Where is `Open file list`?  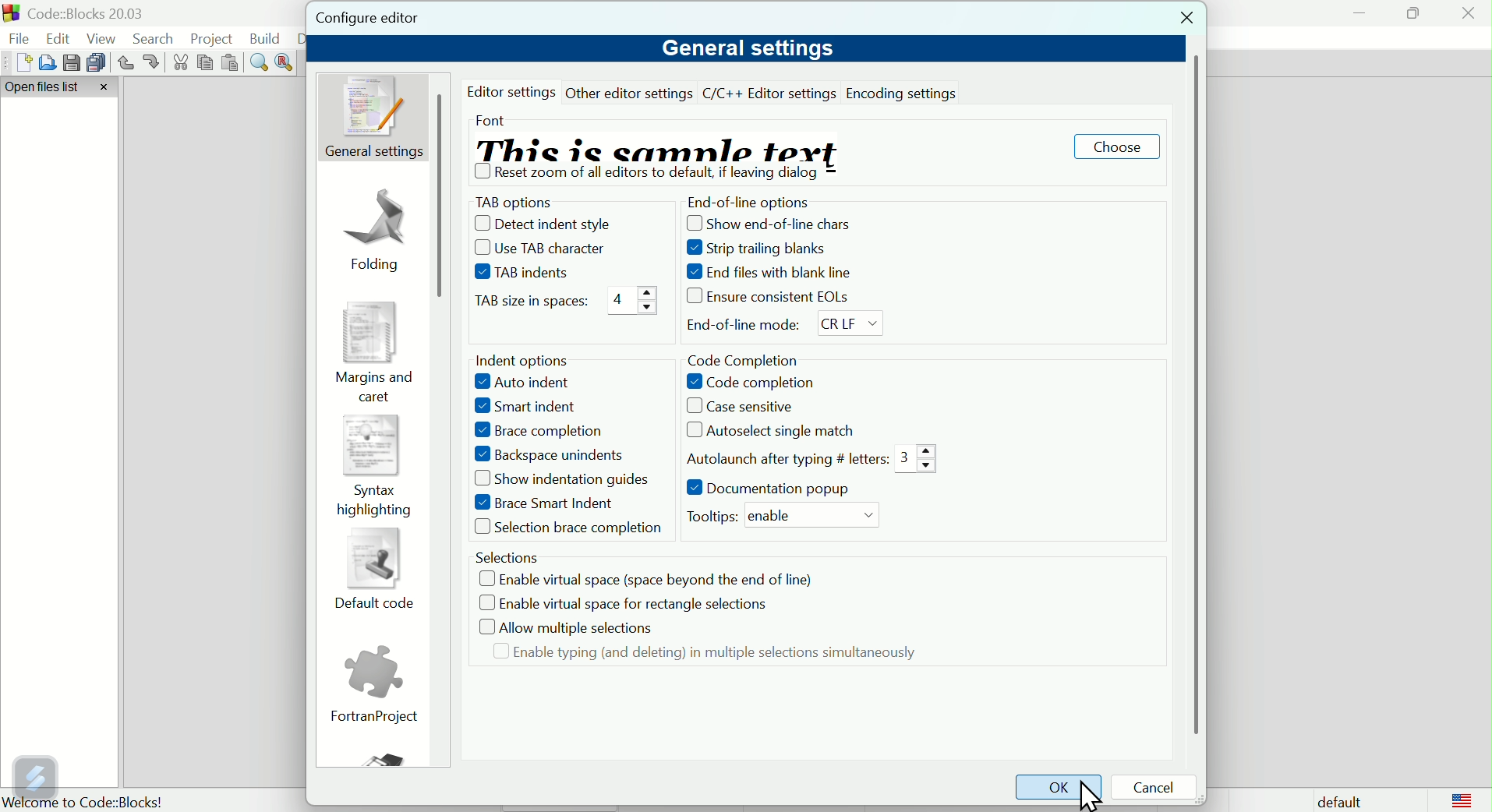
Open file list is located at coordinates (61, 88).